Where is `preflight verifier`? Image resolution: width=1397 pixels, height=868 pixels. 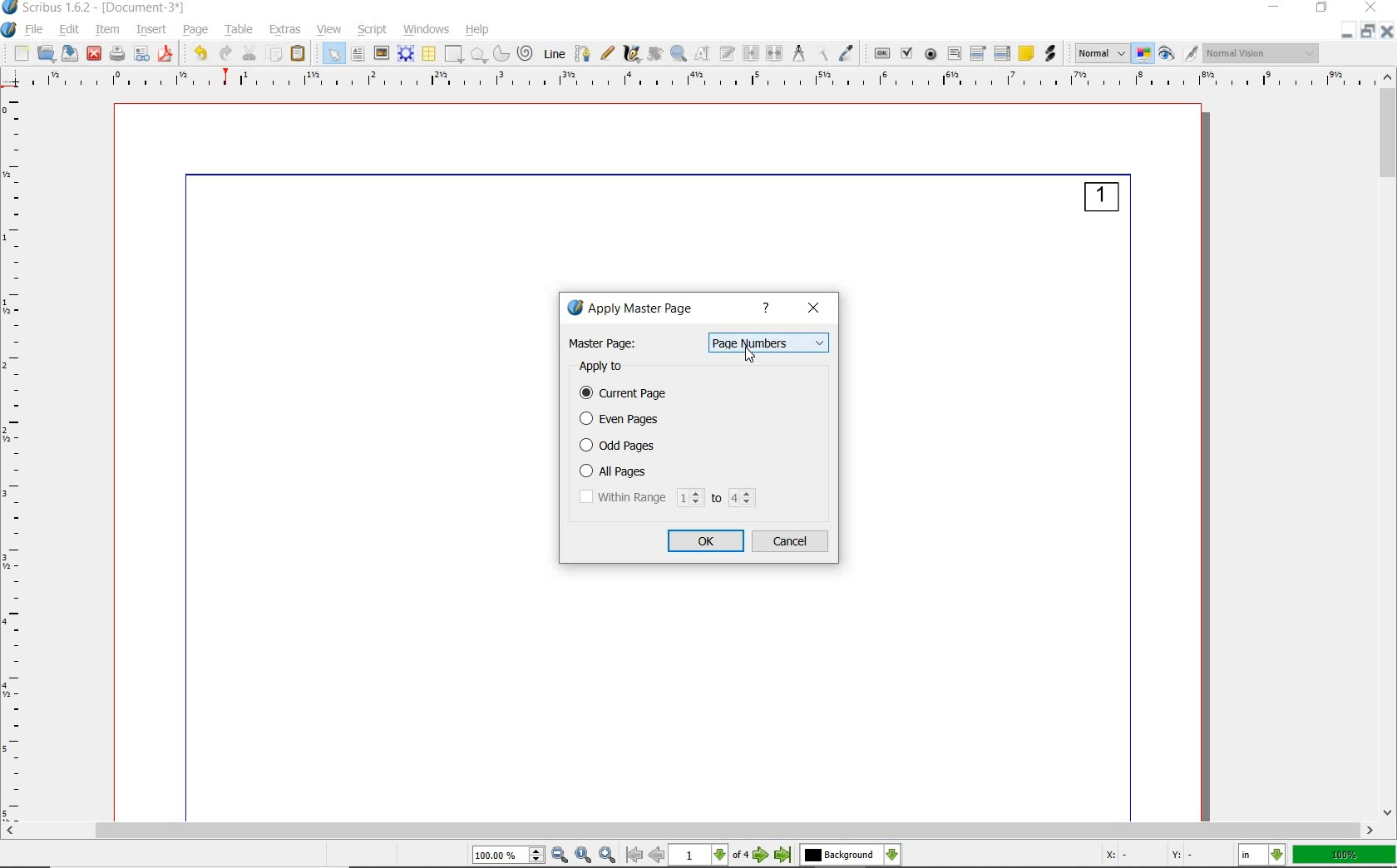
preflight verifier is located at coordinates (143, 54).